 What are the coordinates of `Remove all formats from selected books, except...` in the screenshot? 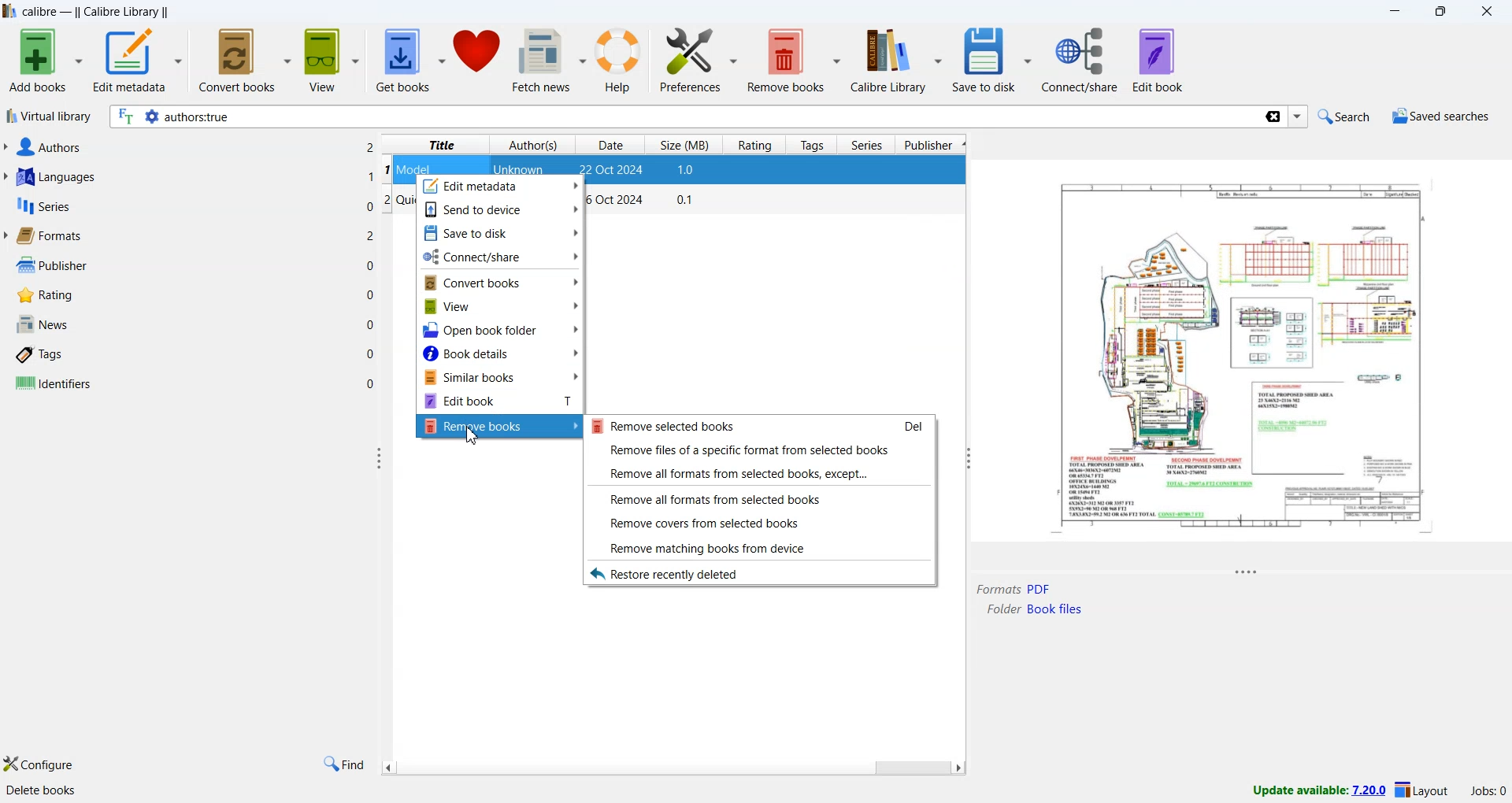 It's located at (759, 472).